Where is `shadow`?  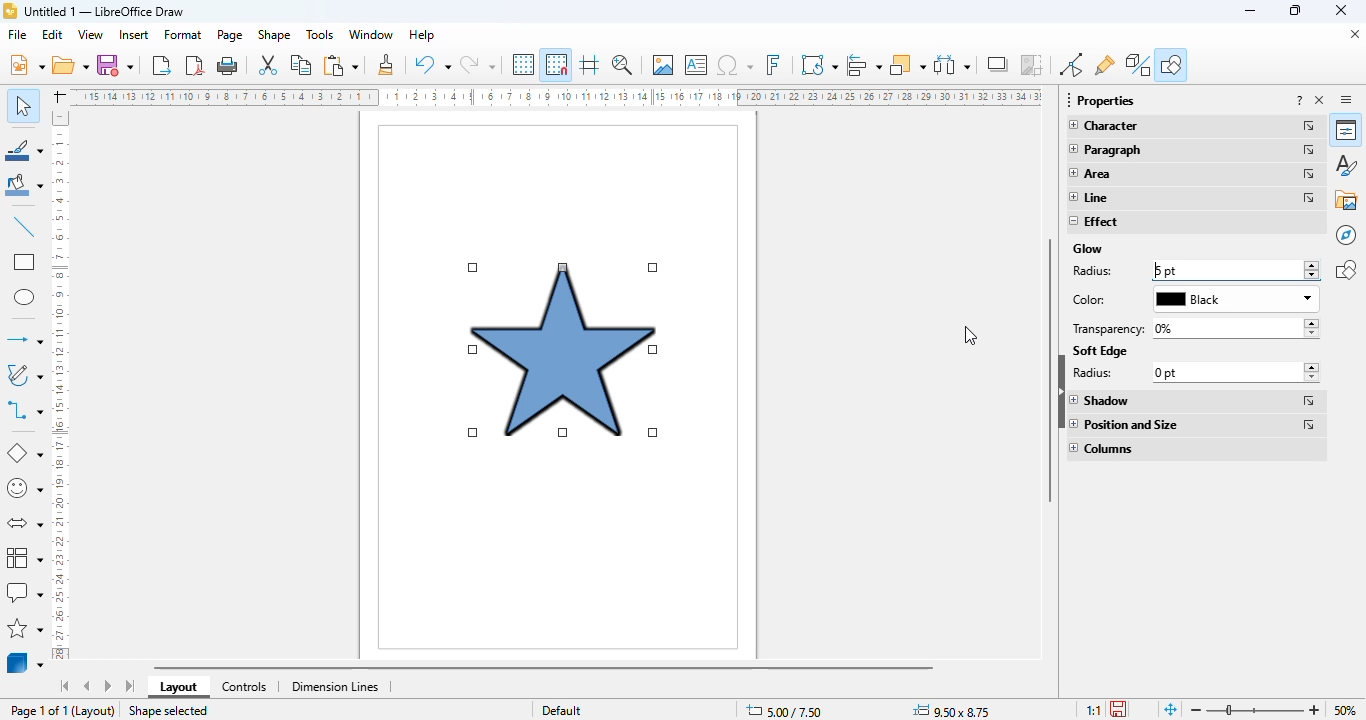
shadow is located at coordinates (1103, 400).